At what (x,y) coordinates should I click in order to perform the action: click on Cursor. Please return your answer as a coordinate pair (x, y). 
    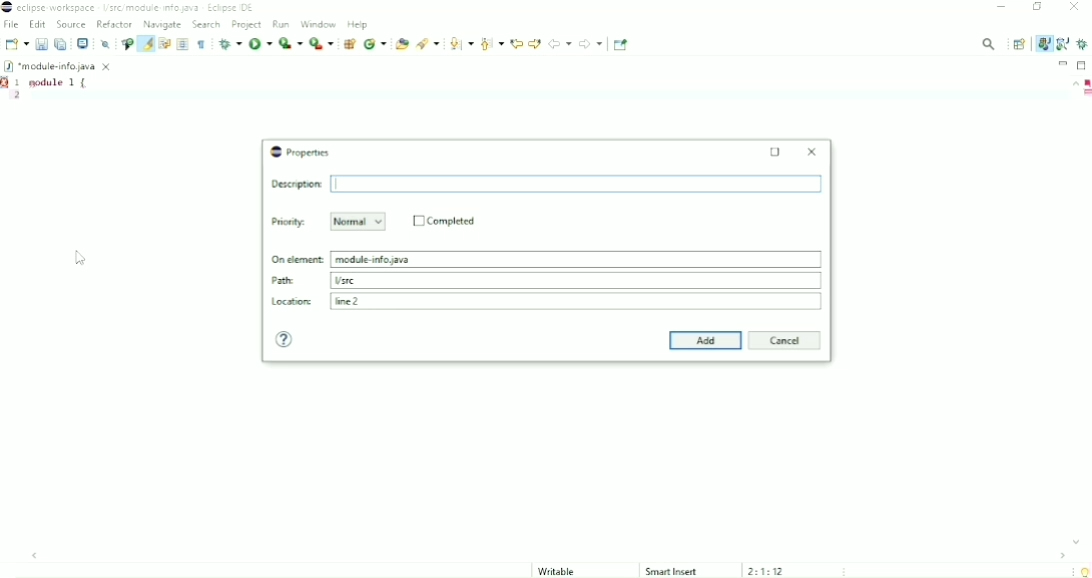
    Looking at the image, I should click on (80, 259).